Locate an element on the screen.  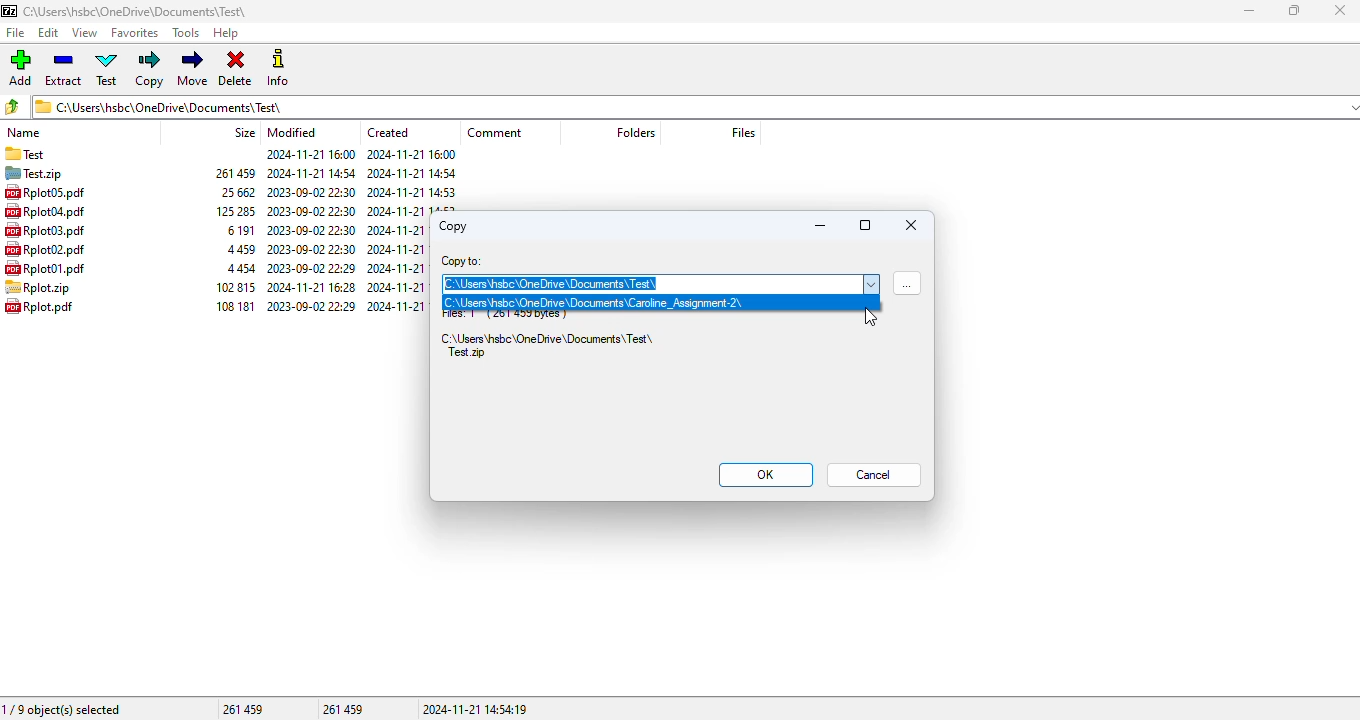
modified date & time is located at coordinates (311, 268).